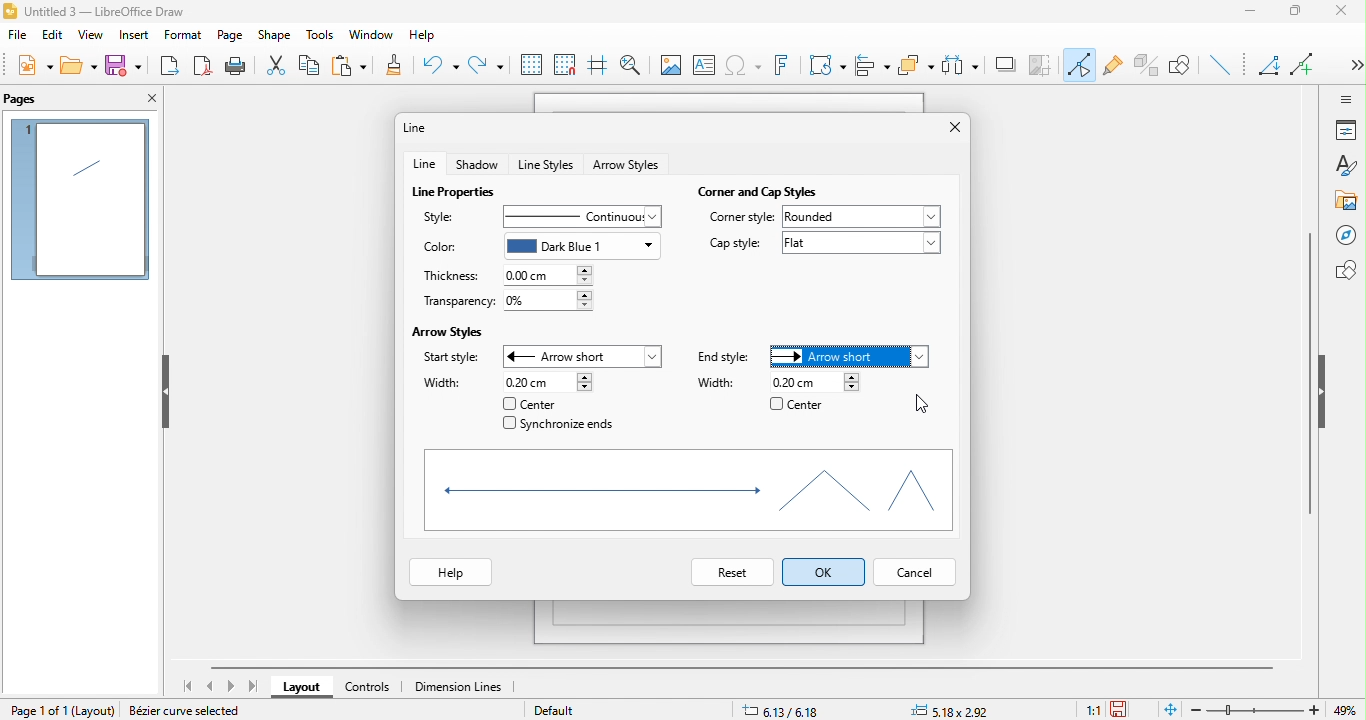  I want to click on close, so click(1347, 15).